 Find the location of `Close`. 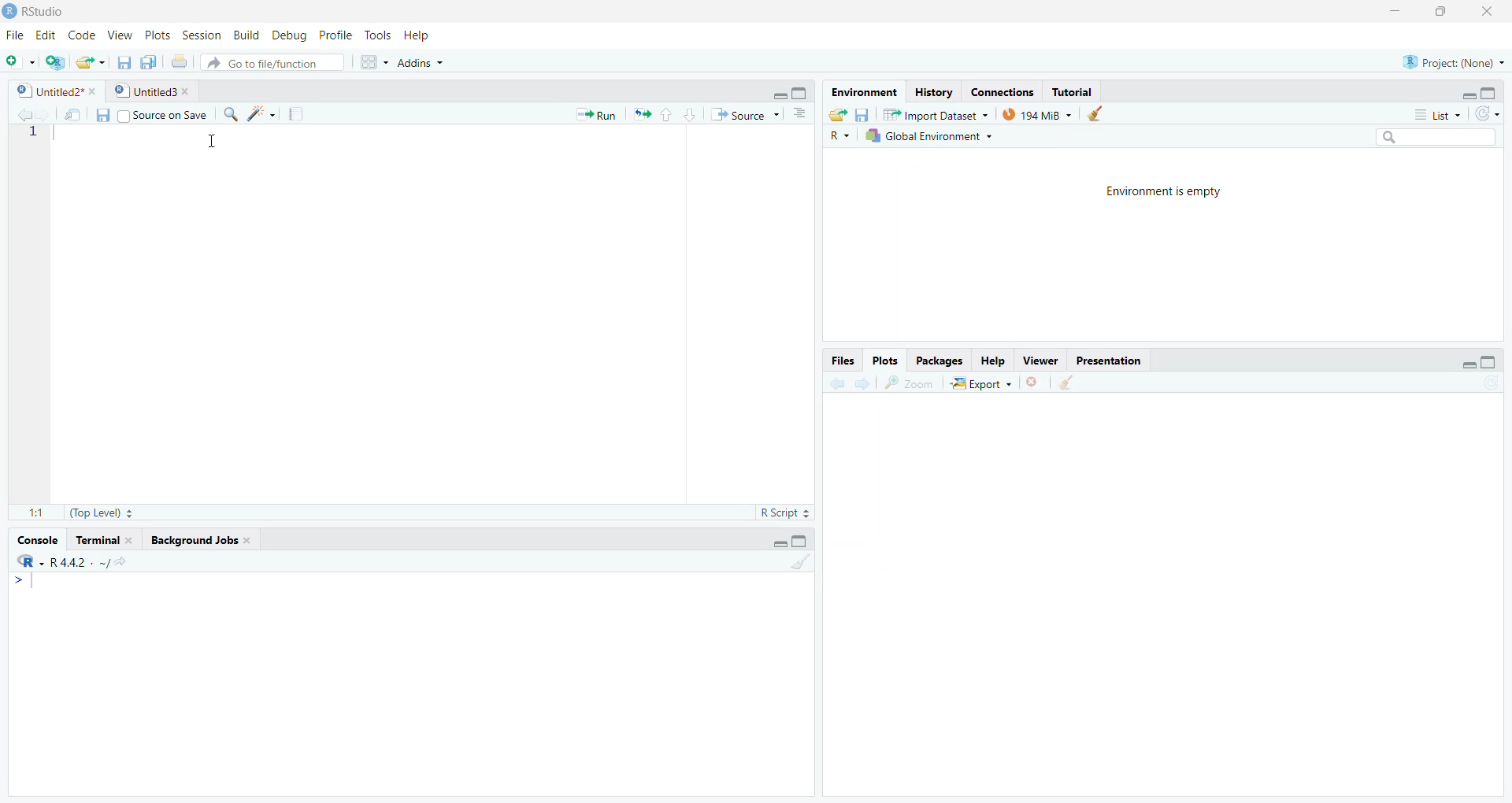

Close is located at coordinates (1485, 11).